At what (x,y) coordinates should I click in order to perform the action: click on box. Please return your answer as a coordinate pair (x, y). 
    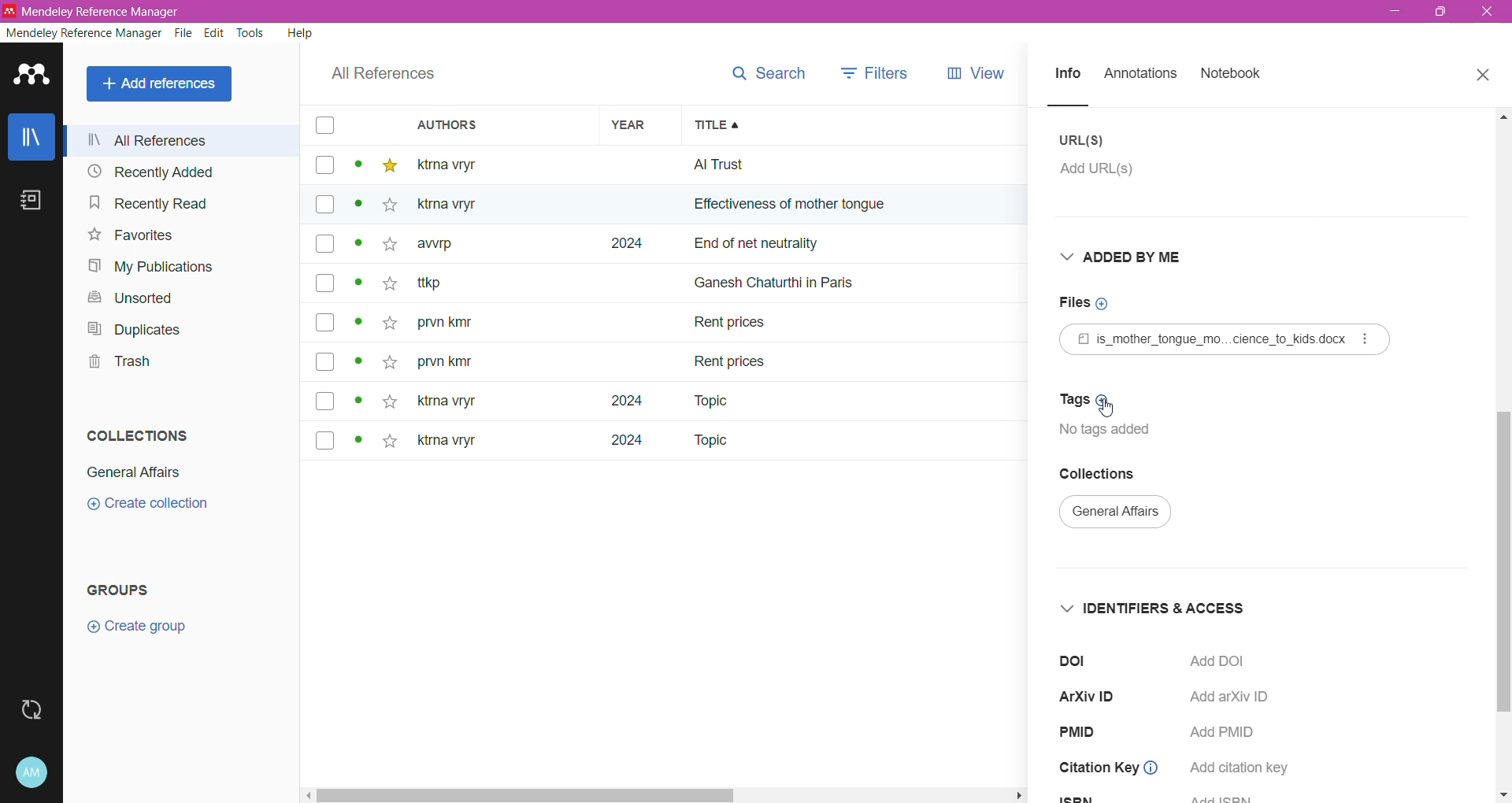
    Looking at the image, I should click on (325, 439).